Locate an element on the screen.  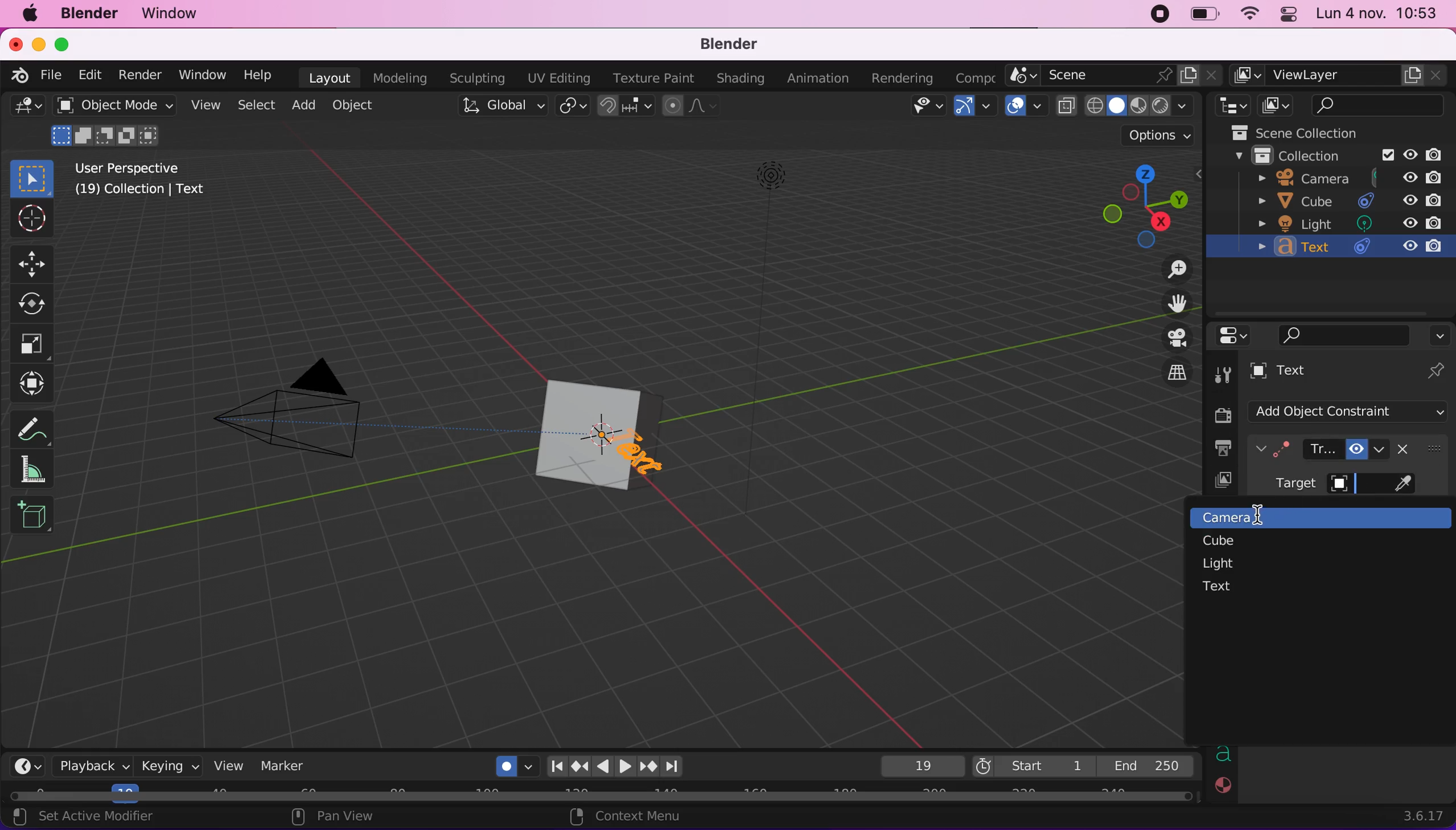
add object constraint is located at coordinates (1353, 412).